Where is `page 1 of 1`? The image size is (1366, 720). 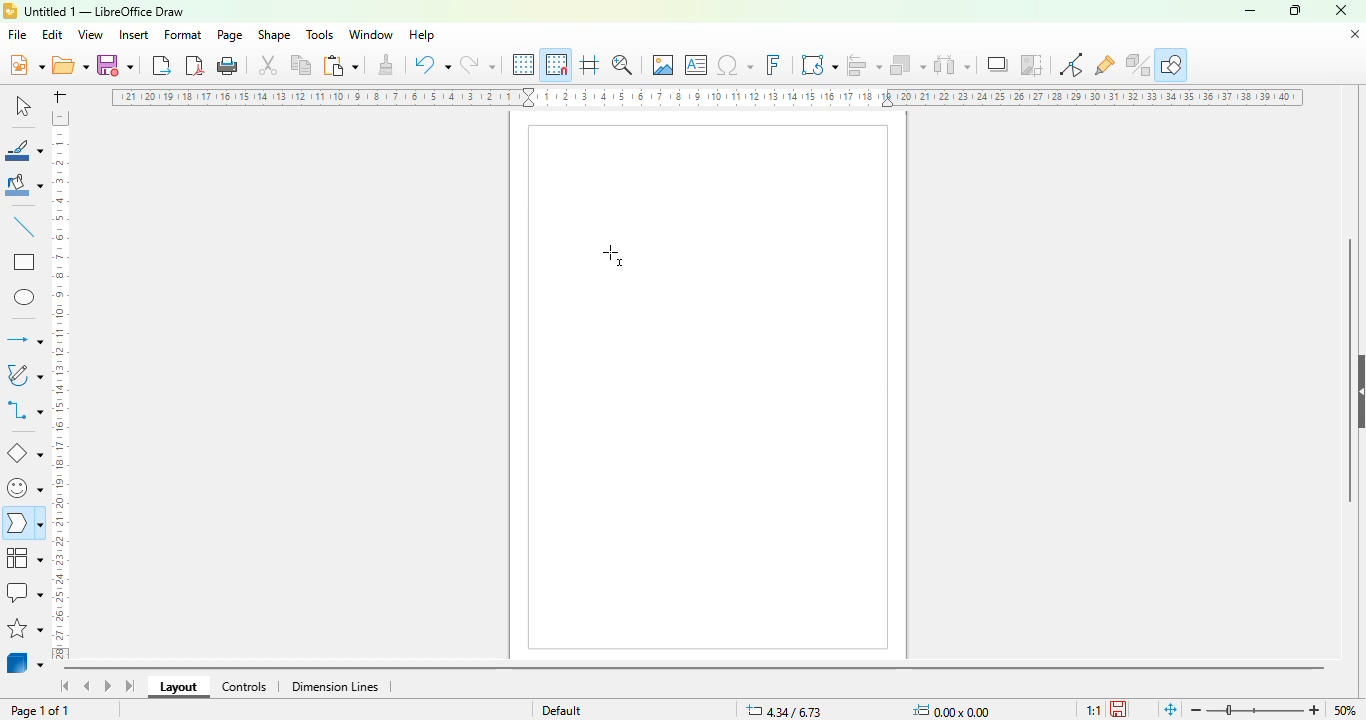 page 1 of 1 is located at coordinates (40, 711).